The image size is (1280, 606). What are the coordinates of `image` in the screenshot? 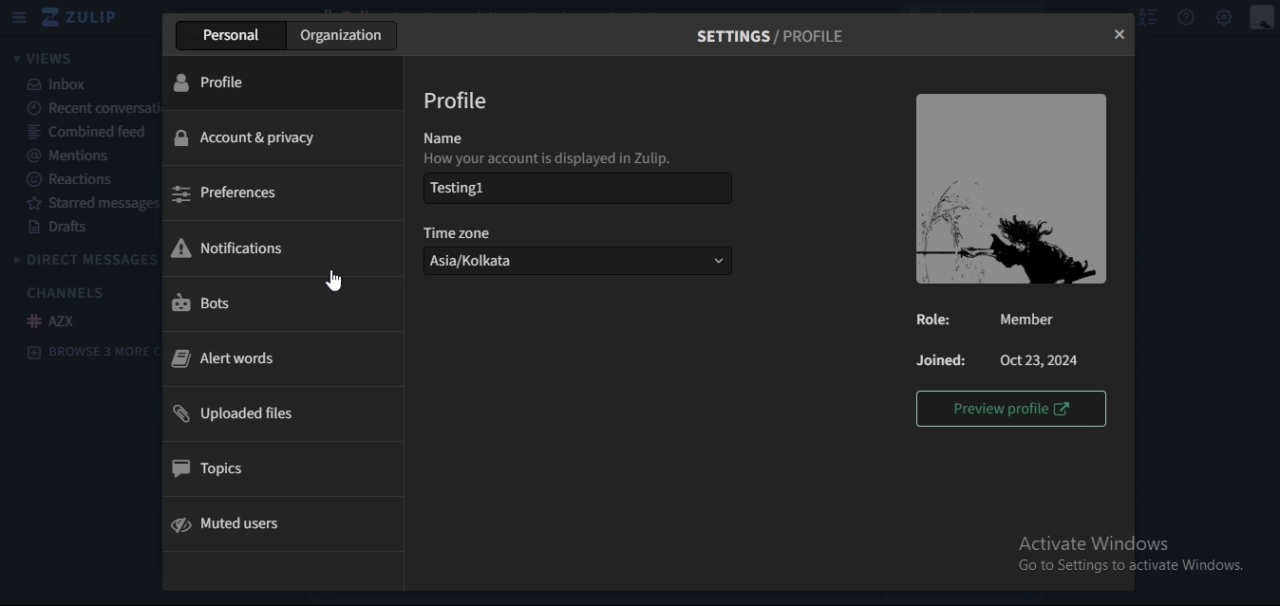 It's located at (1010, 189).